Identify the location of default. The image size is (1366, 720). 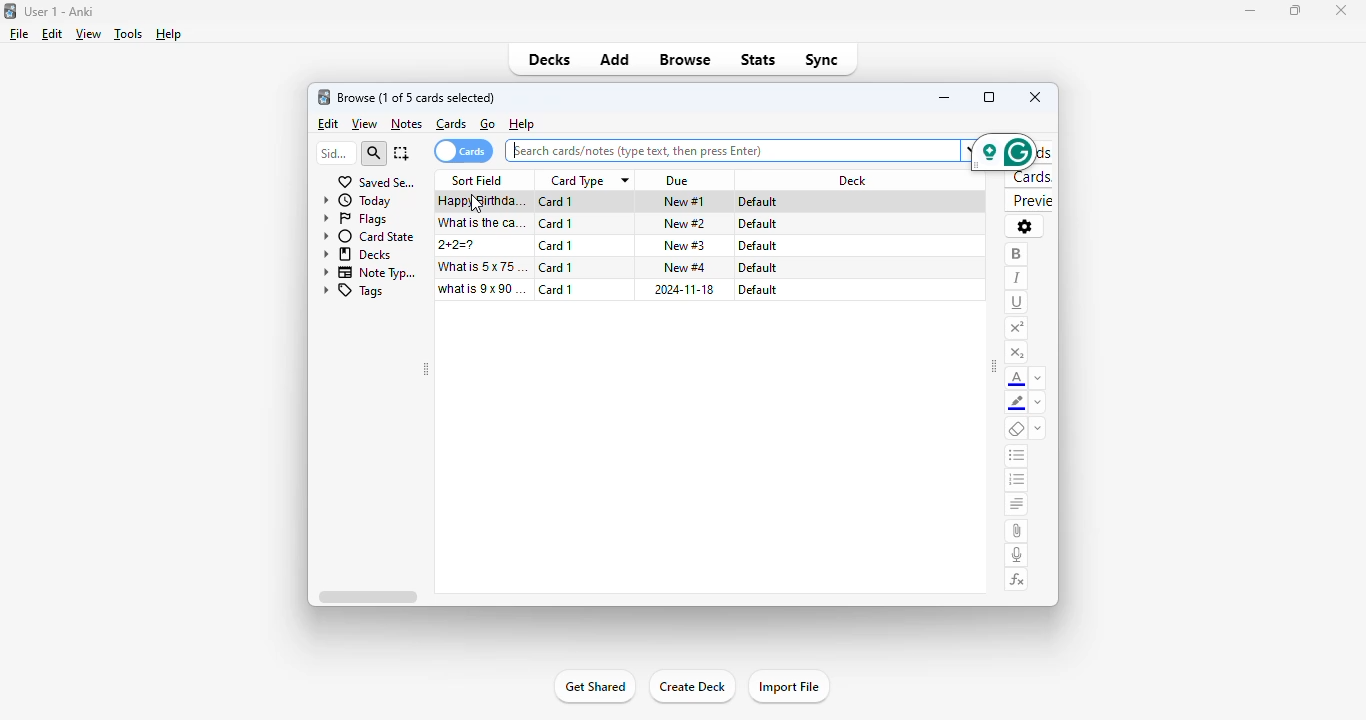
(757, 246).